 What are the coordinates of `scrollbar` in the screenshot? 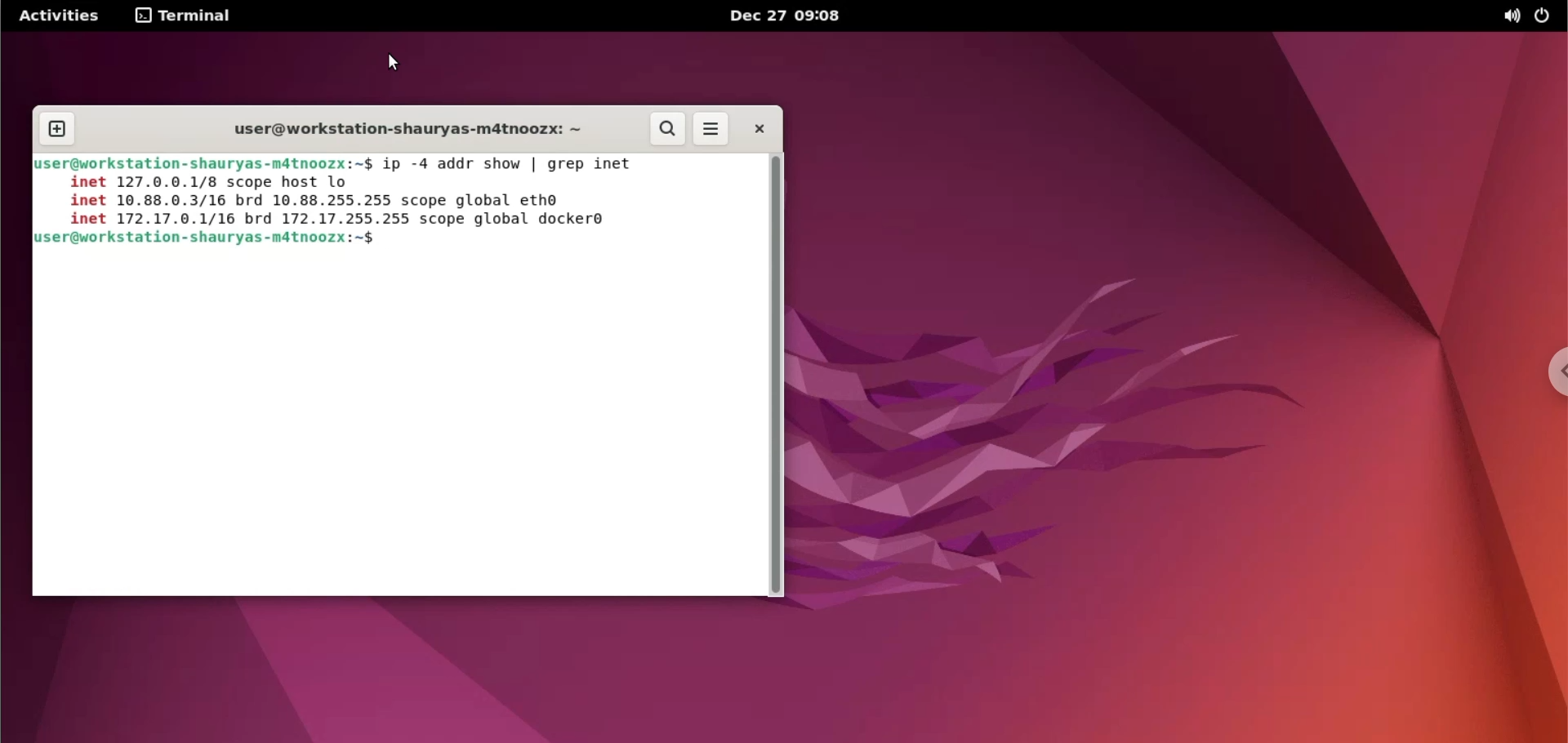 It's located at (778, 373).